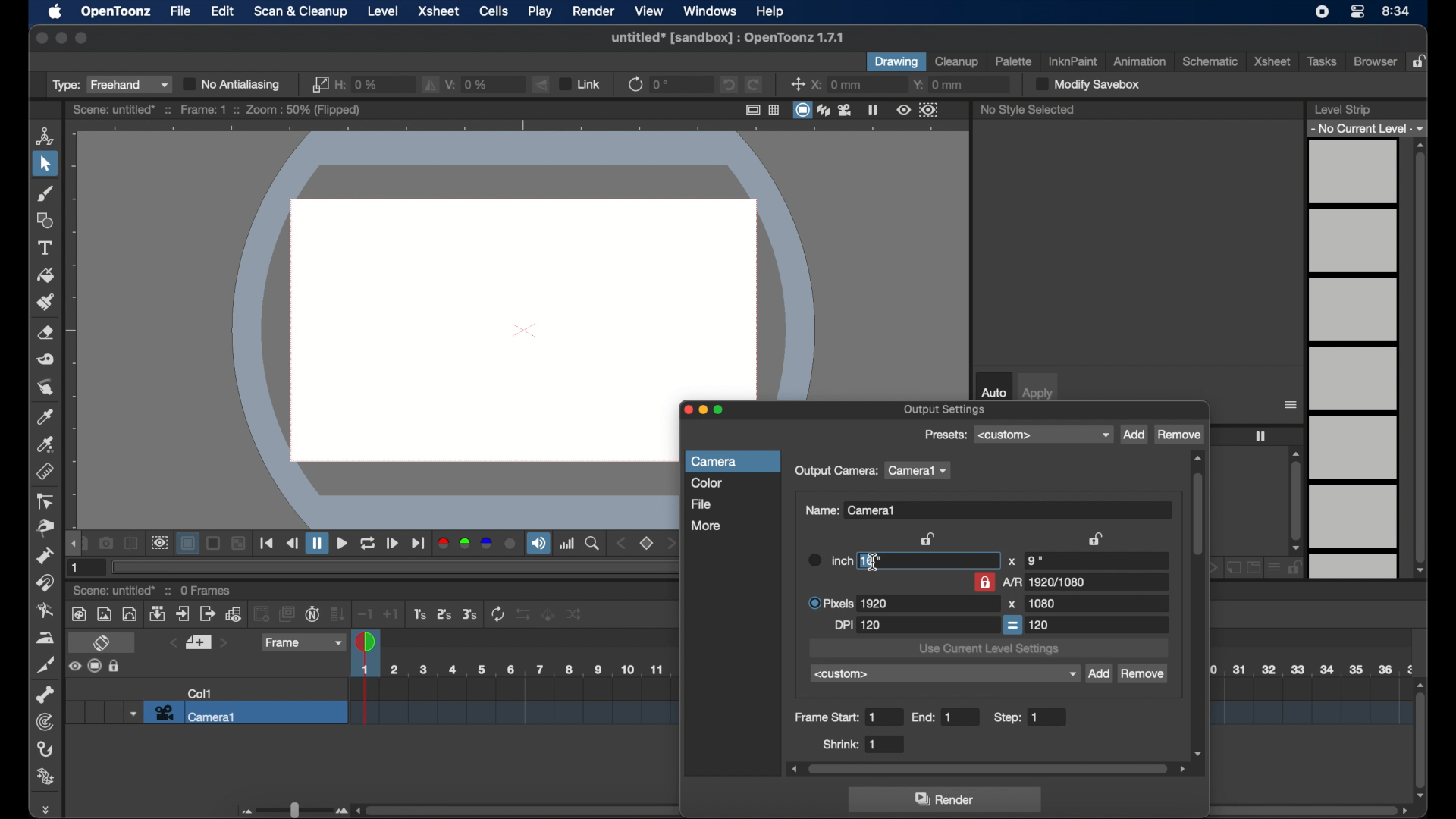  What do you see at coordinates (592, 11) in the screenshot?
I see `render` at bounding box center [592, 11].